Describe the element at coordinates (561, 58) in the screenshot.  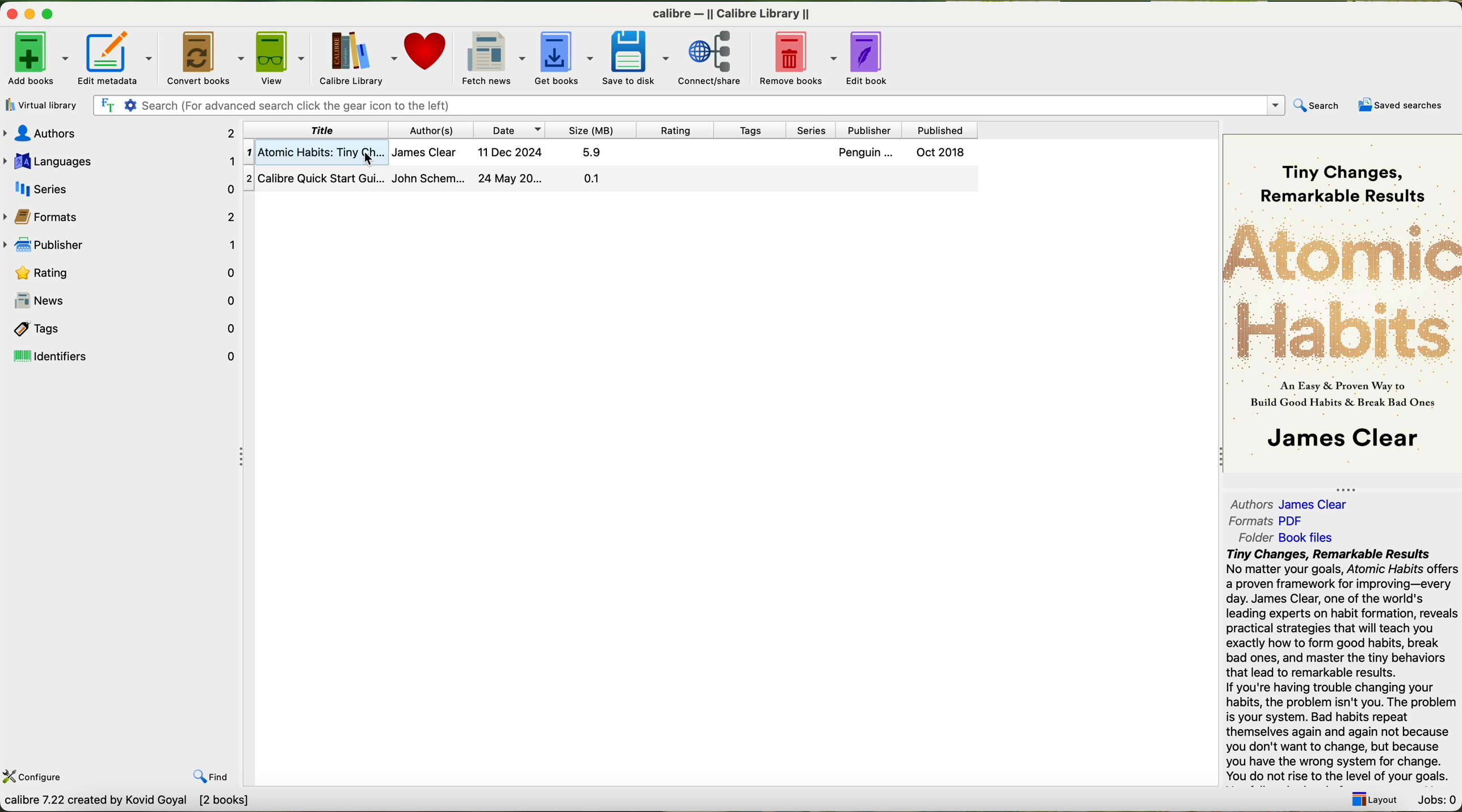
I see `get books` at that location.